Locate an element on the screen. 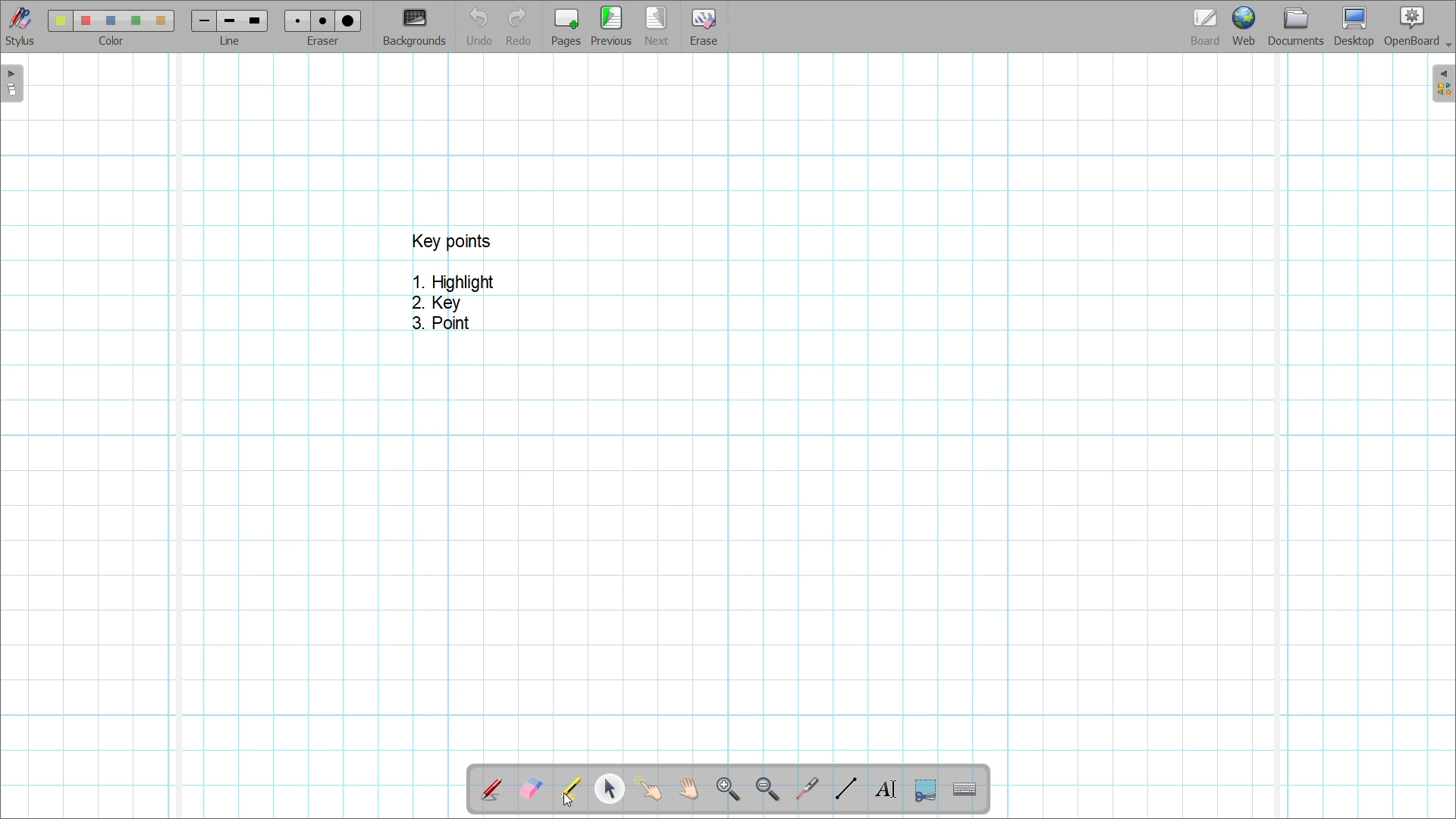 Image resolution: width=1456 pixels, height=819 pixels. Scroll page is located at coordinates (688, 789).